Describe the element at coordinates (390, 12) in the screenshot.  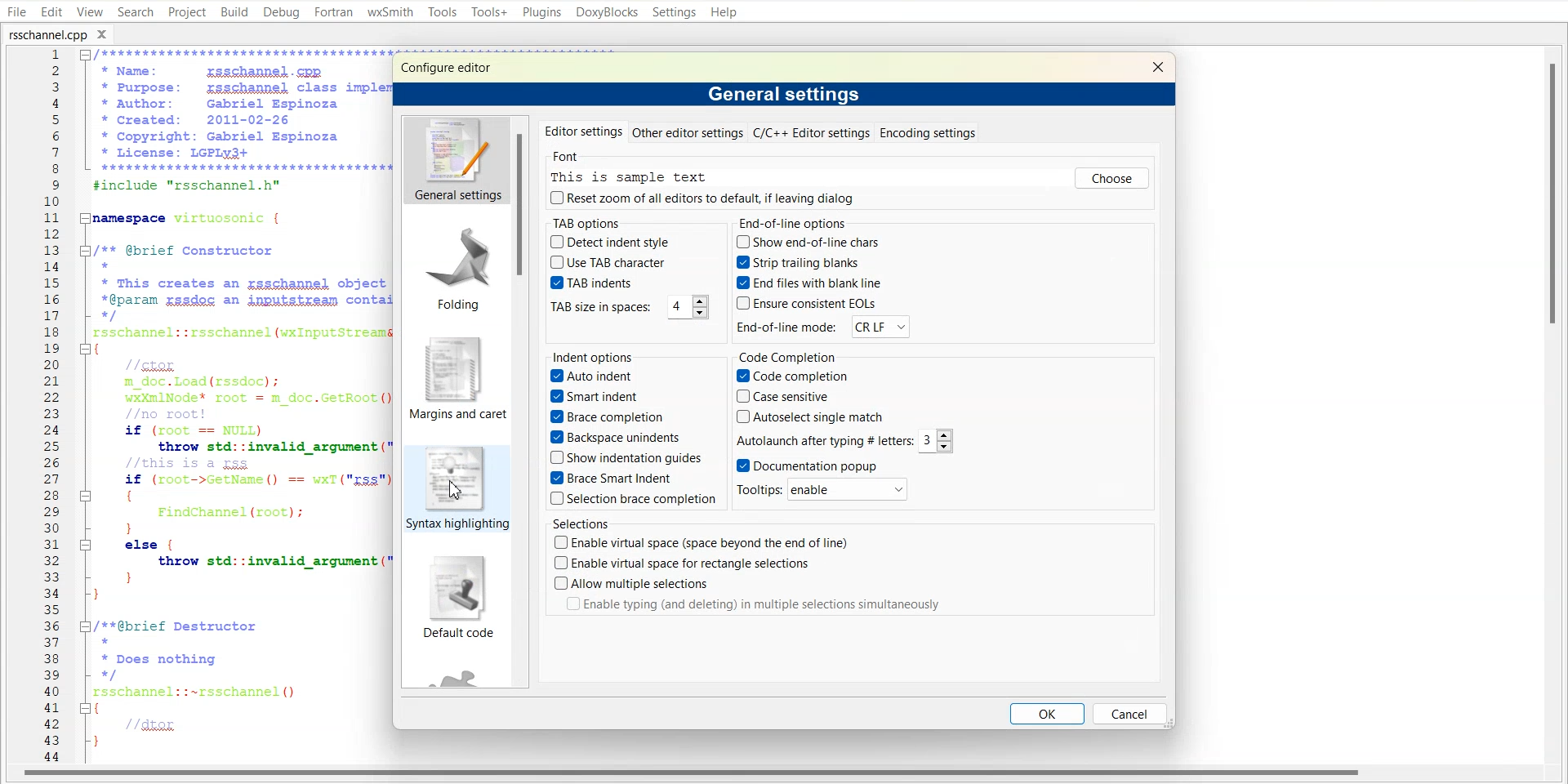
I see `wxSmith` at that location.